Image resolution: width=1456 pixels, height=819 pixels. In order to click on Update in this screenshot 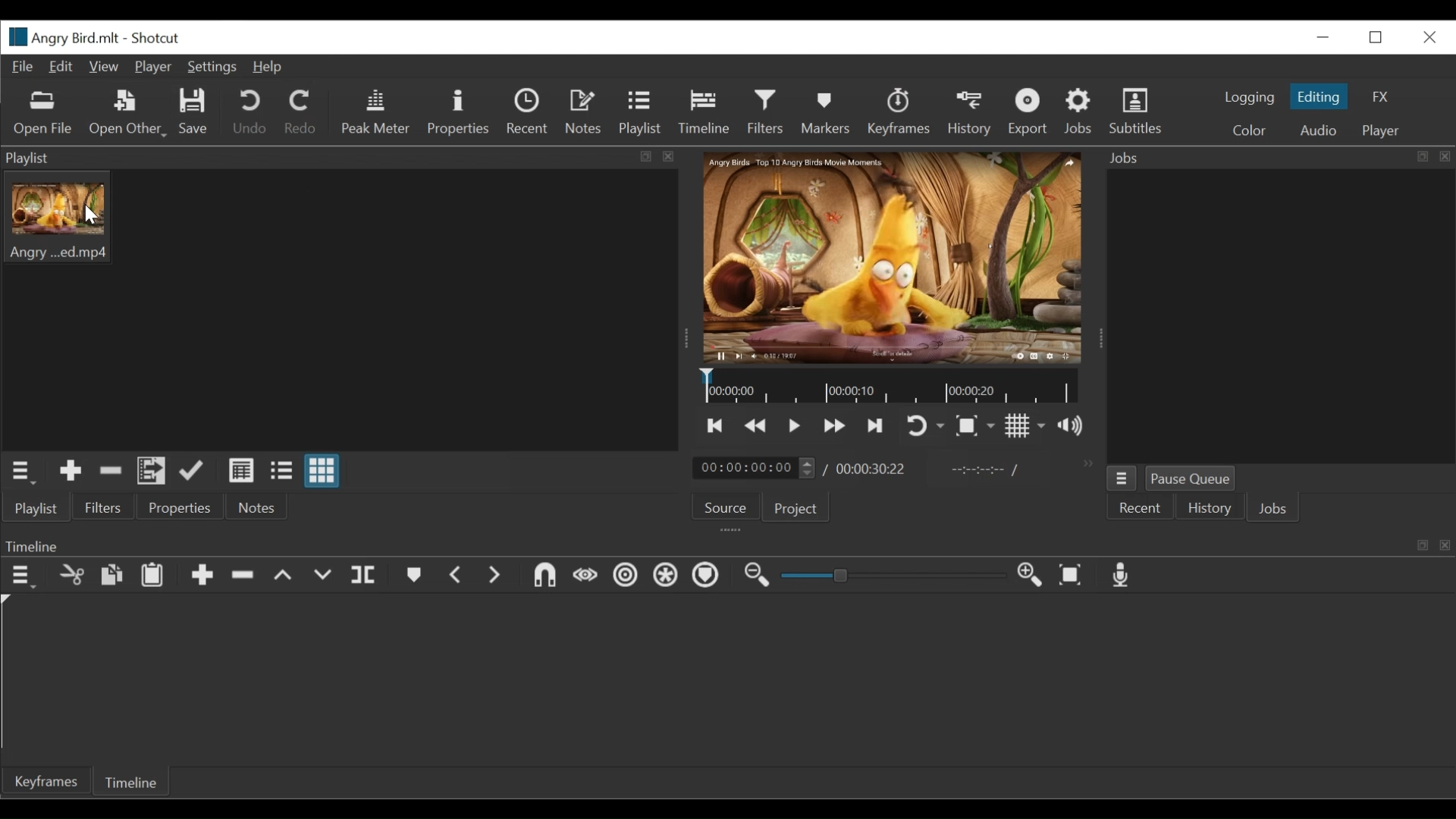, I will do `click(193, 470)`.